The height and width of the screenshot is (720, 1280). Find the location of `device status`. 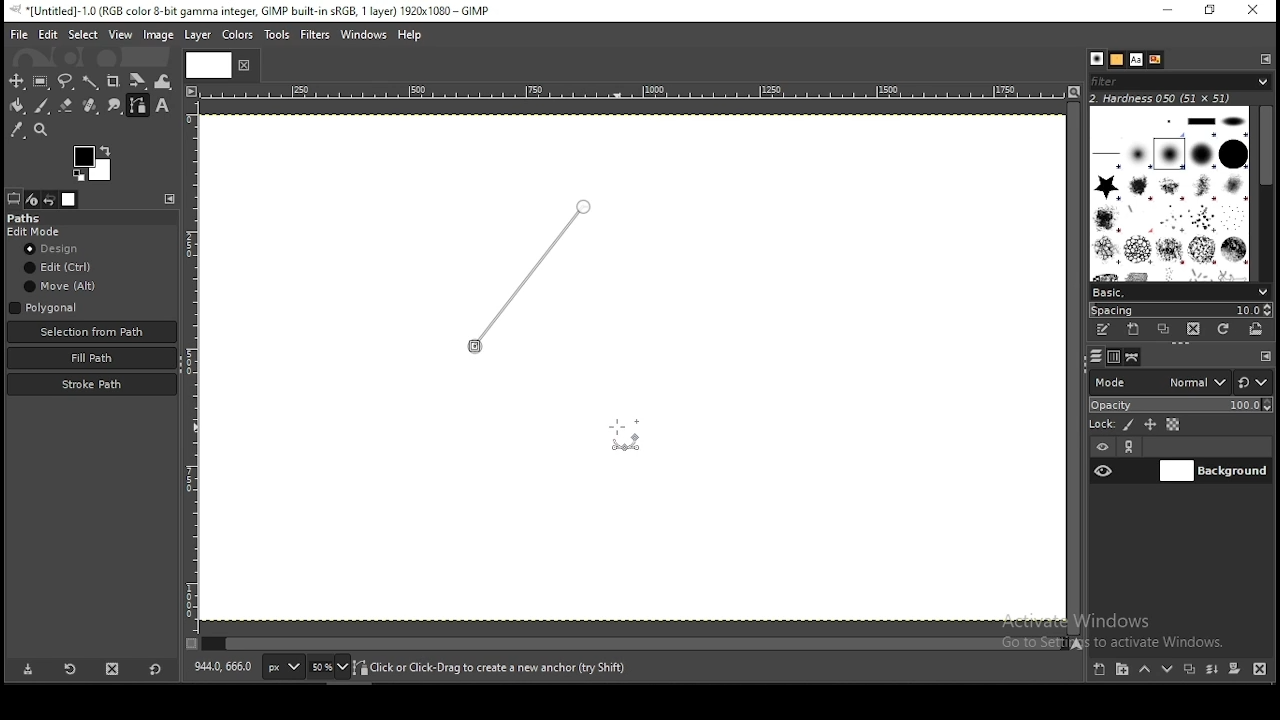

device status is located at coordinates (32, 199).